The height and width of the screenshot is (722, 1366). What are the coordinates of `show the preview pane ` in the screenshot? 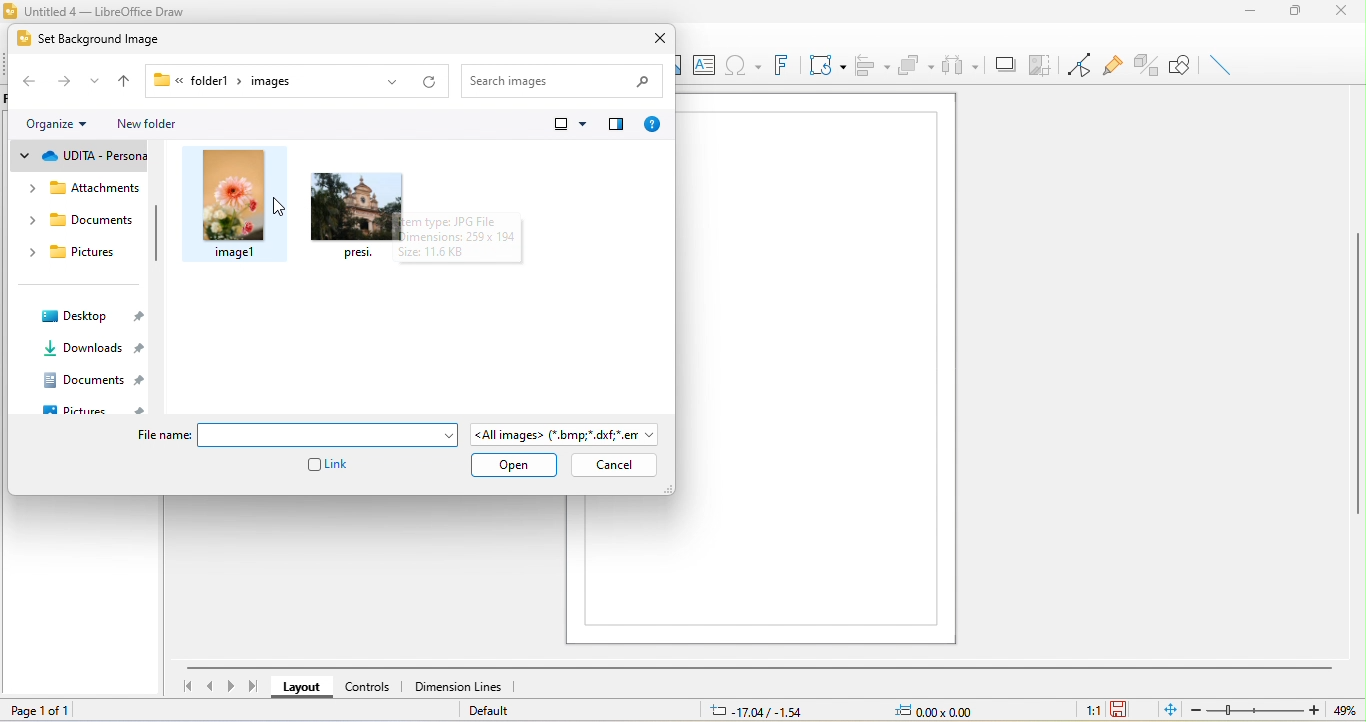 It's located at (616, 129).